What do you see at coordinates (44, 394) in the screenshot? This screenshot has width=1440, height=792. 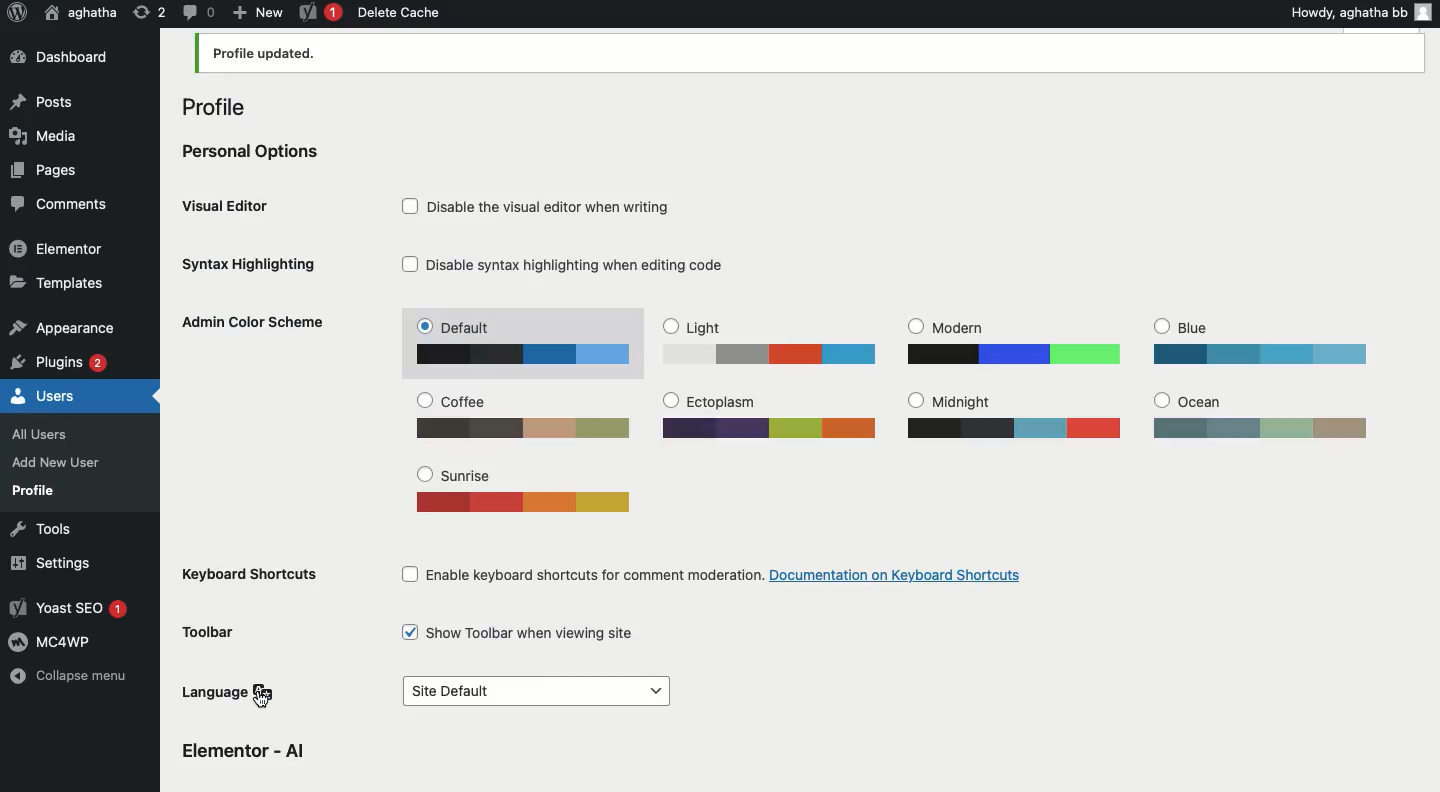 I see `Users` at bounding box center [44, 394].